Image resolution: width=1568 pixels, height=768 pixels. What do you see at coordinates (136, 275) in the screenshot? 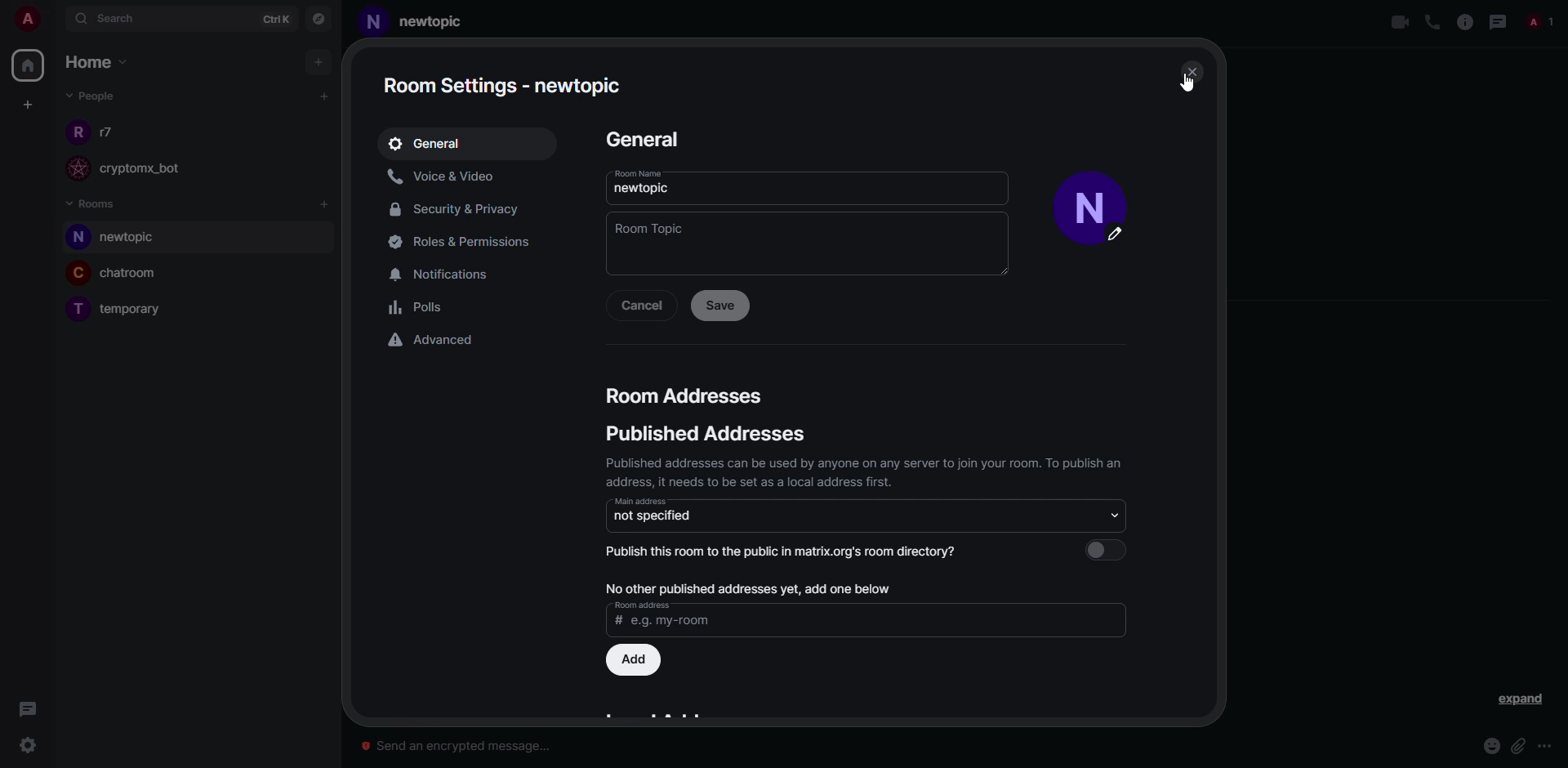
I see `room` at bounding box center [136, 275].